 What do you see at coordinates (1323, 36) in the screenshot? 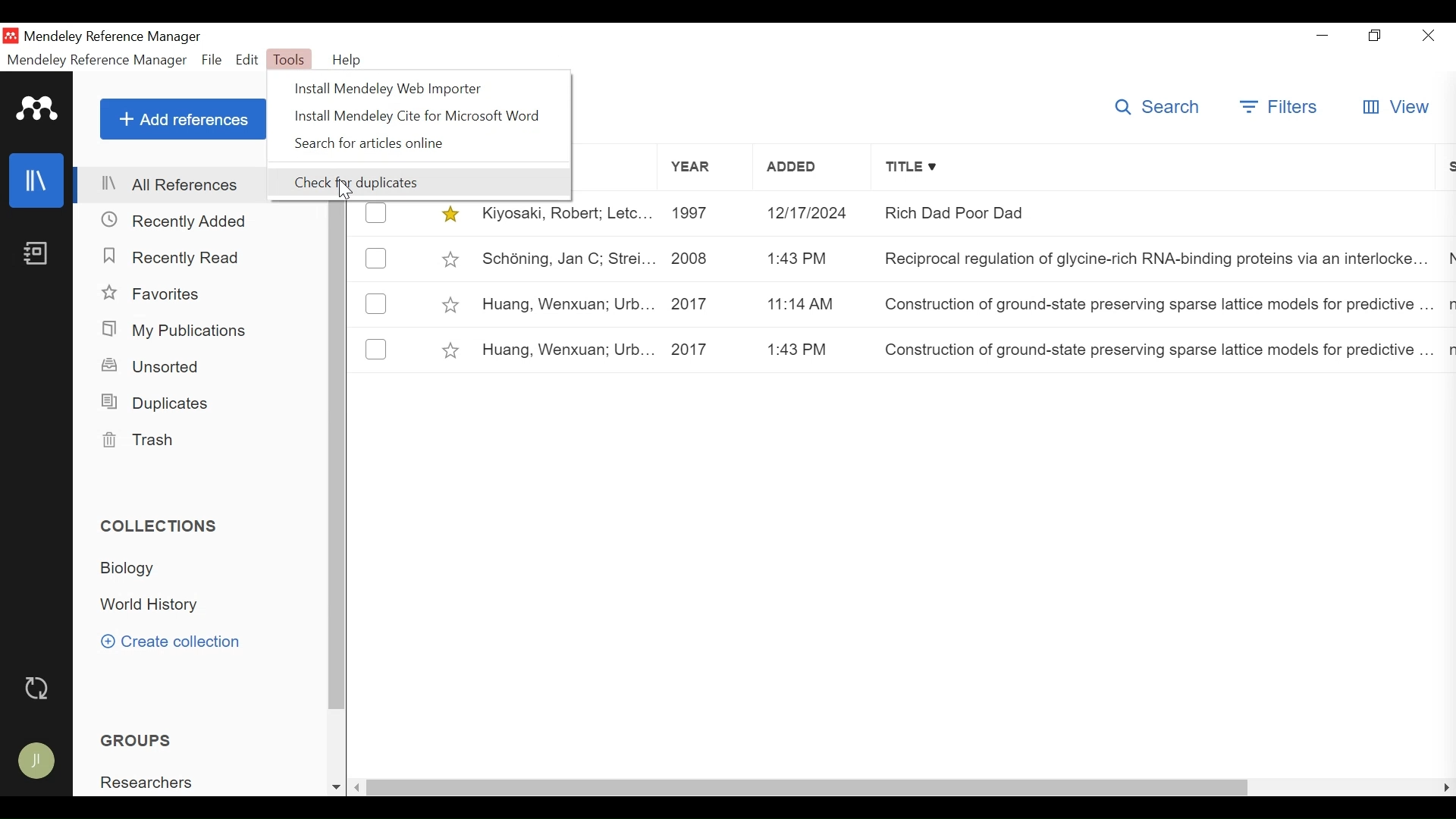
I see `minimize` at bounding box center [1323, 36].